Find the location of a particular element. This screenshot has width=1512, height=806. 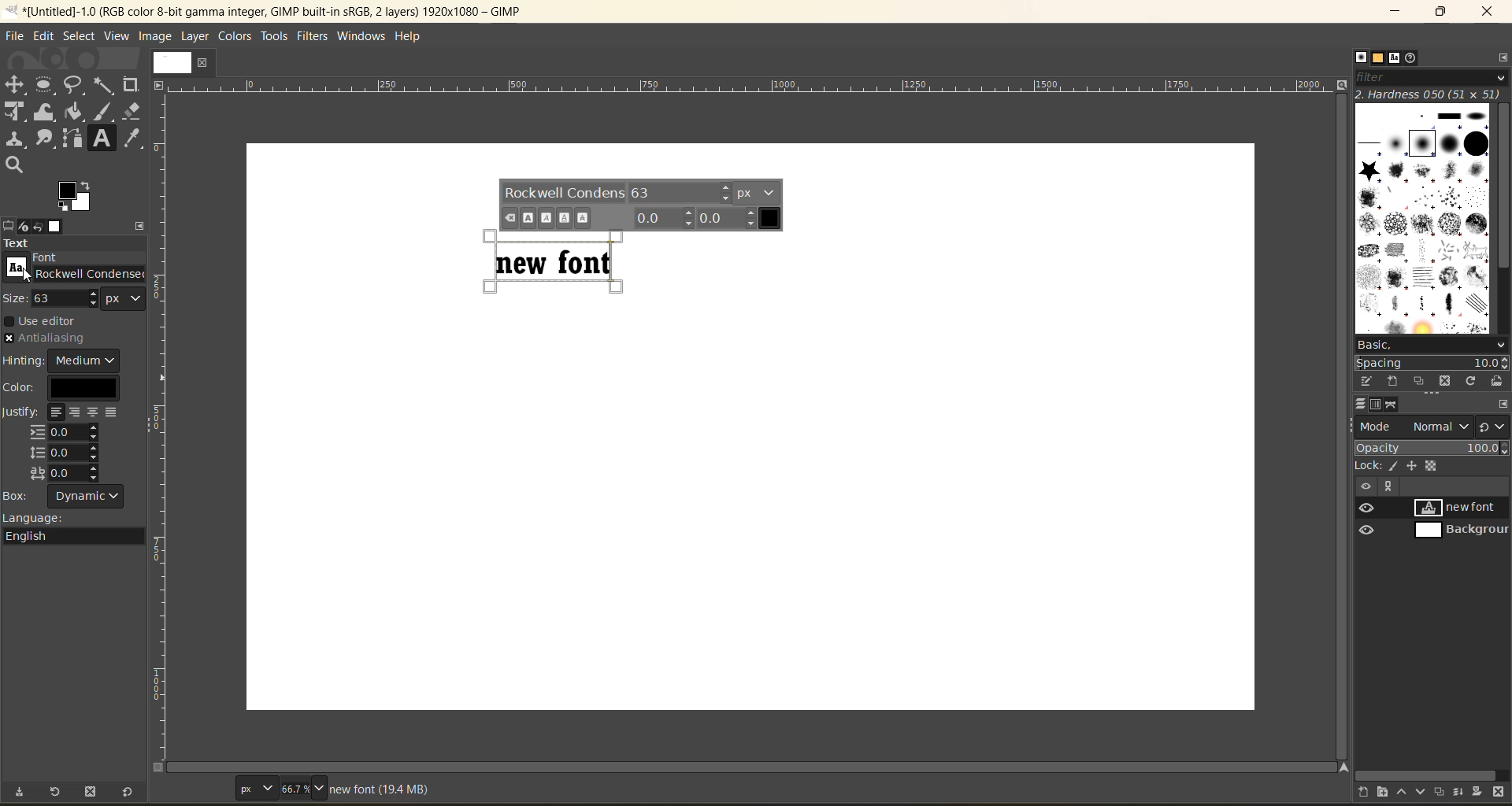

windows is located at coordinates (365, 35).